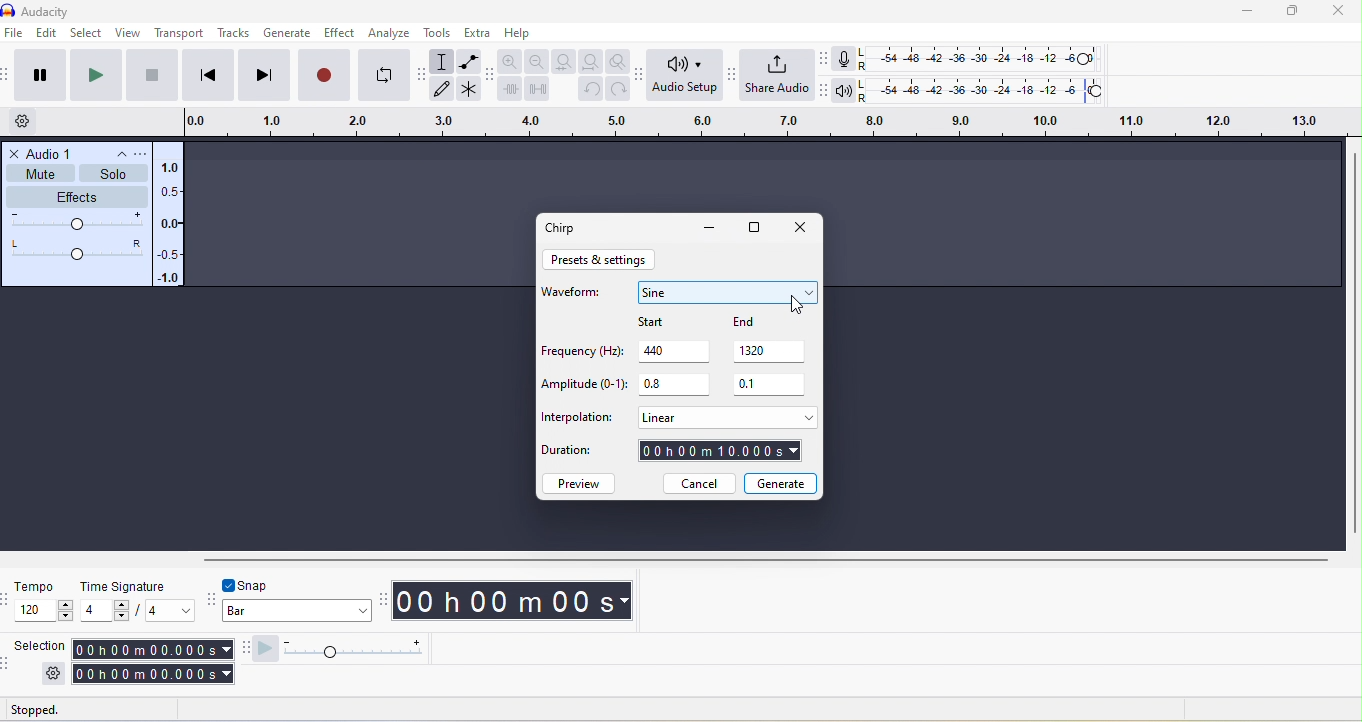  What do you see at coordinates (384, 73) in the screenshot?
I see `enable looping` at bounding box center [384, 73].